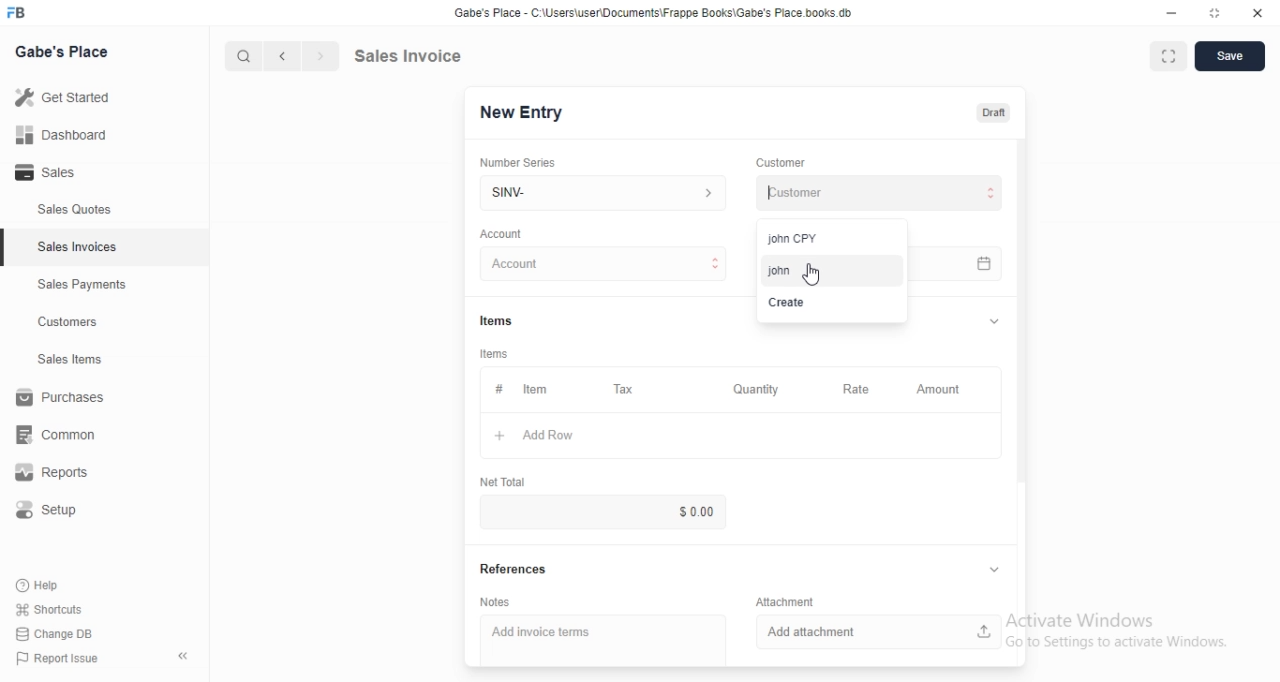  I want to click on $0.00, so click(665, 511).